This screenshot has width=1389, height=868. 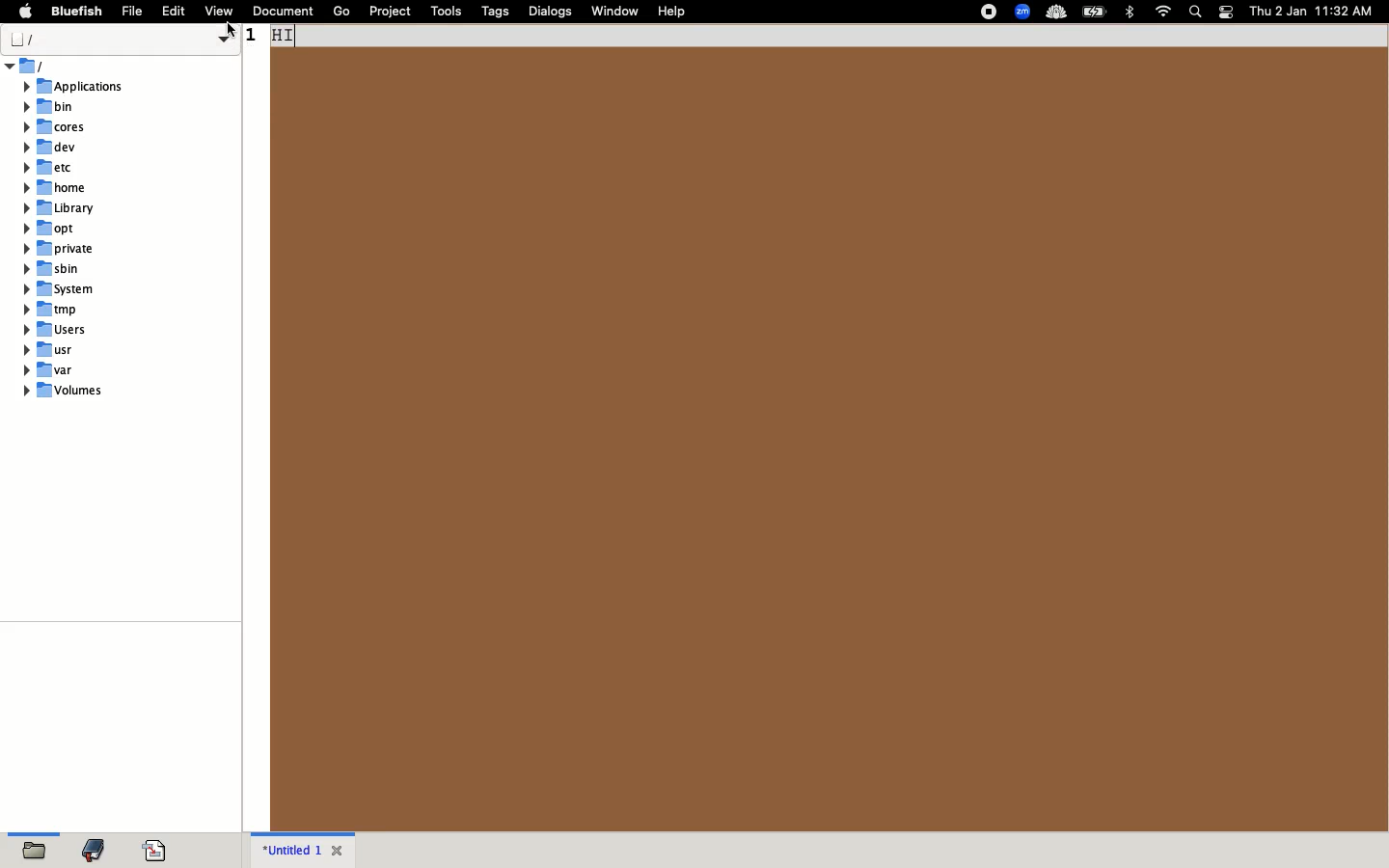 I want to click on dev, so click(x=50, y=148).